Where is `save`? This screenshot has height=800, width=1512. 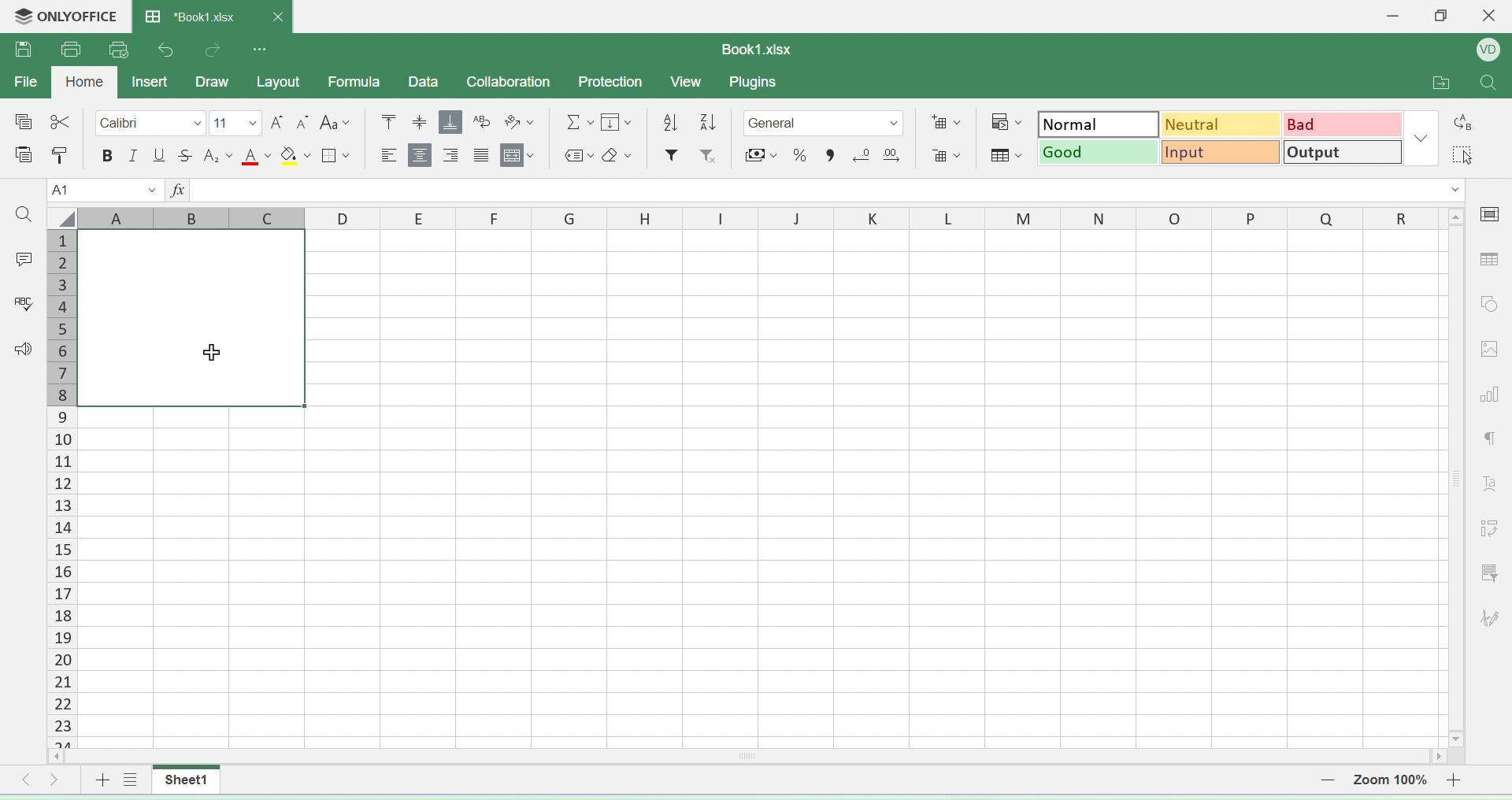
save is located at coordinates (26, 50).